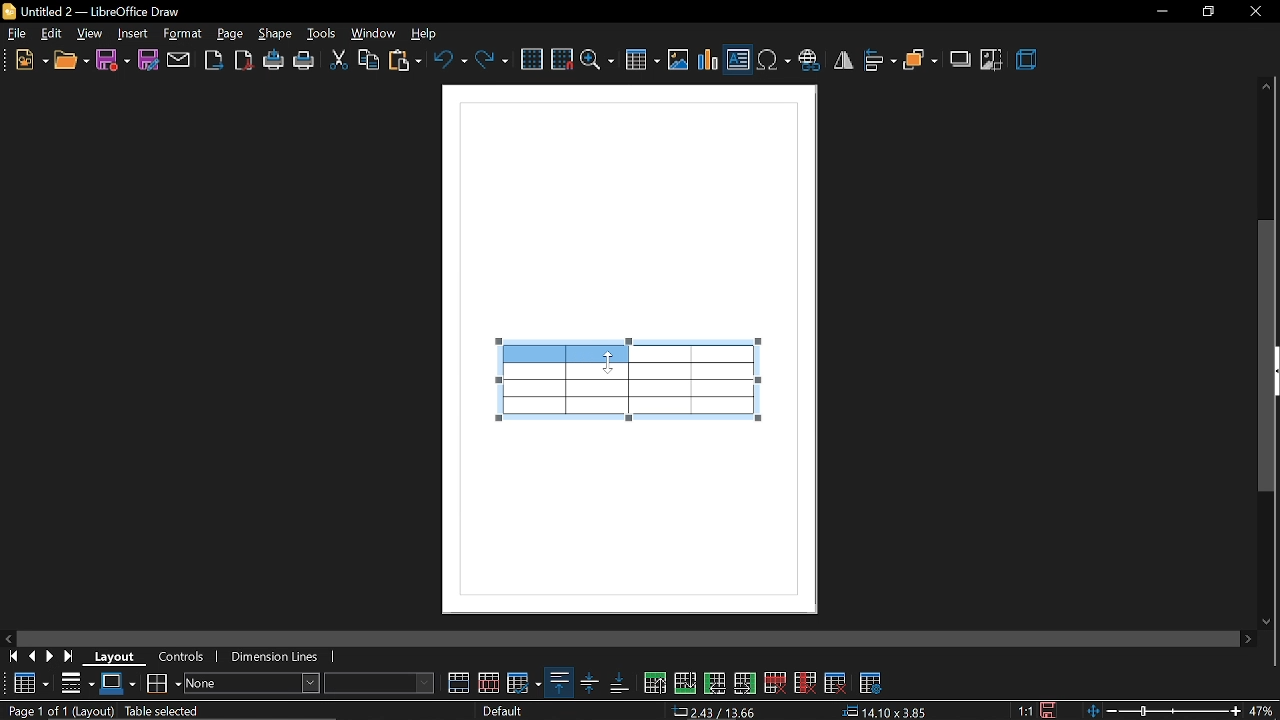  Describe the element at coordinates (879, 58) in the screenshot. I see `align` at that location.